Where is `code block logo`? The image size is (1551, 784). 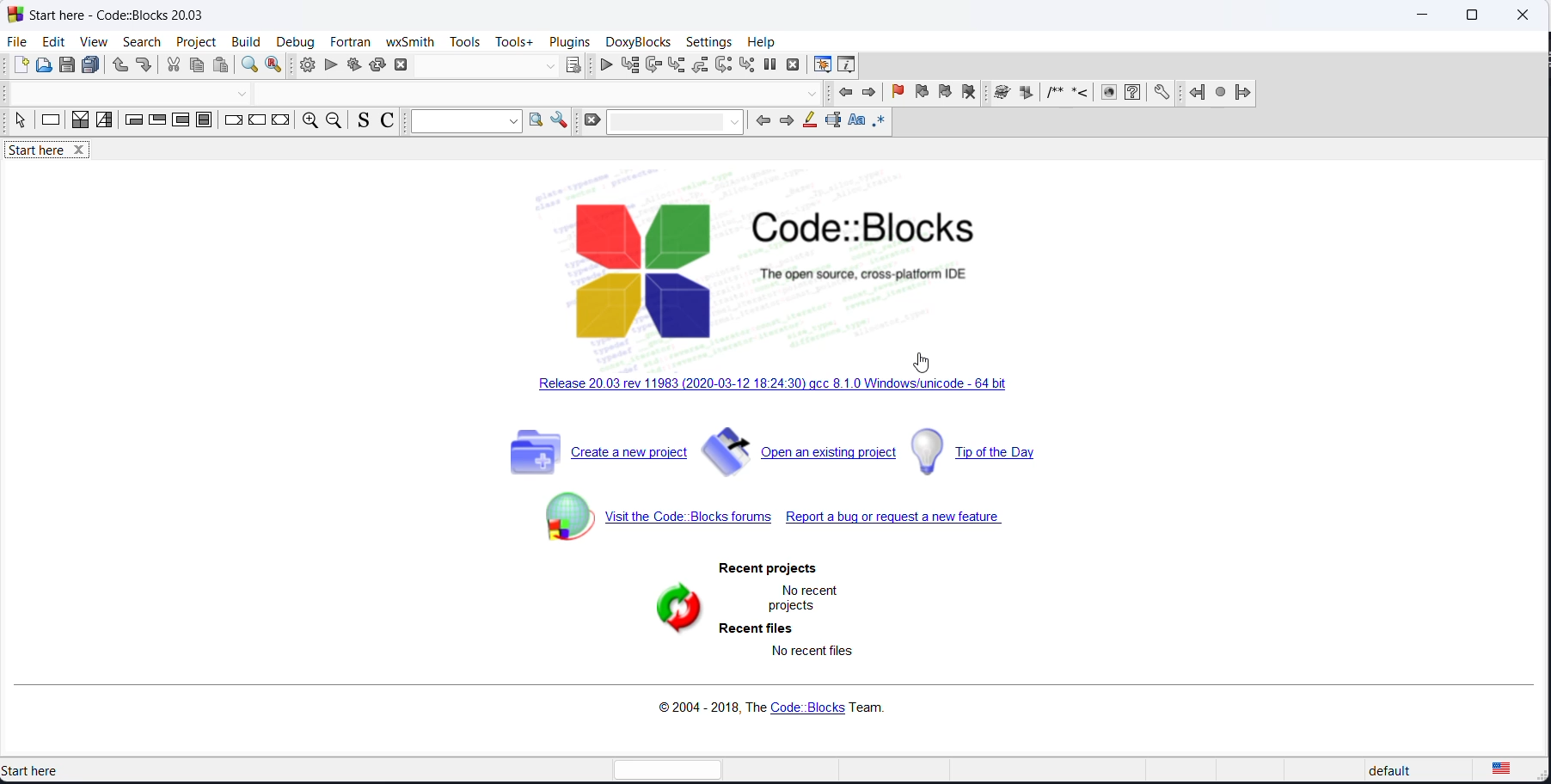 code block logo is located at coordinates (771, 273).